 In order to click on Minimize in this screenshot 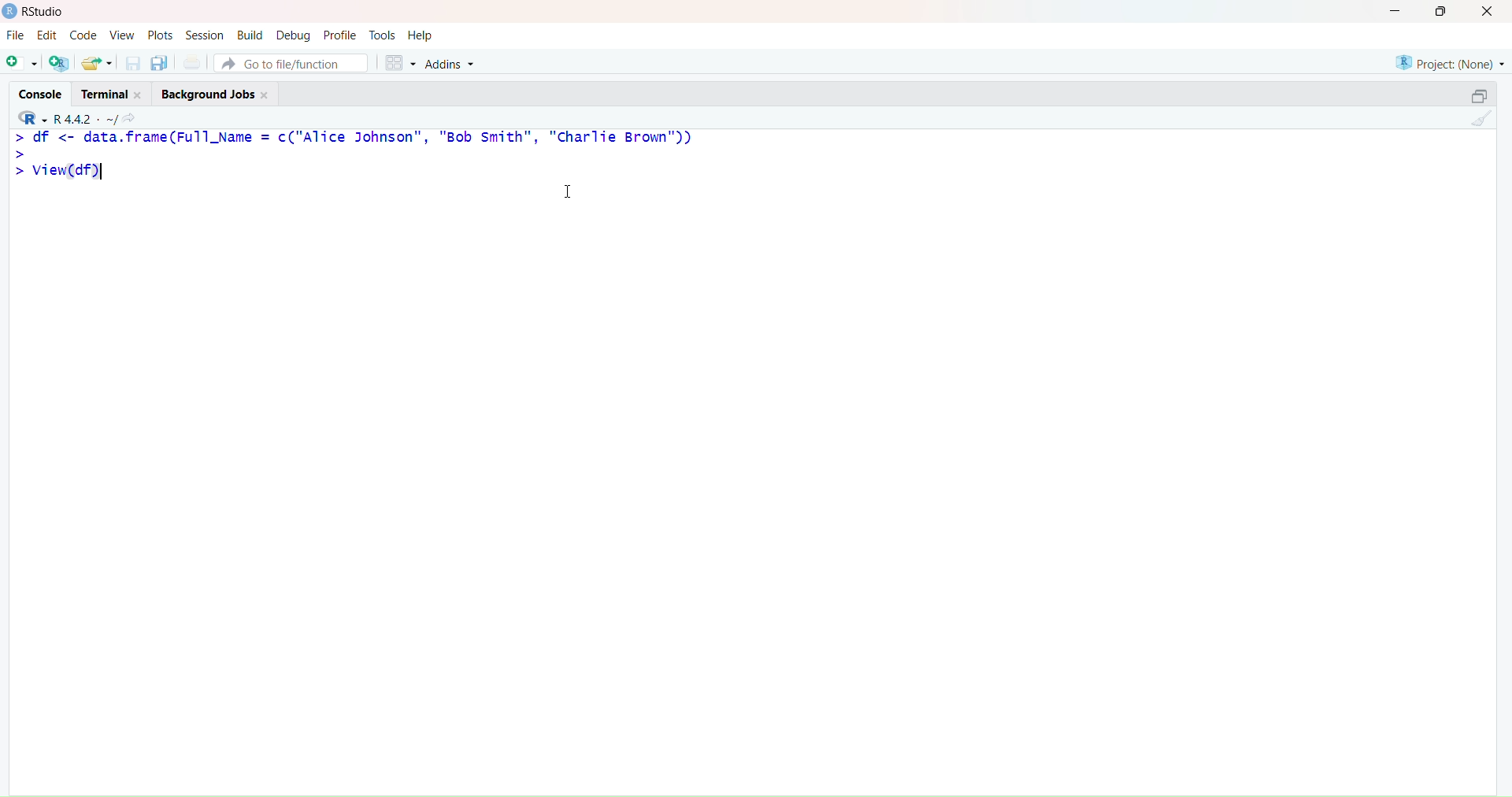, I will do `click(1396, 14)`.